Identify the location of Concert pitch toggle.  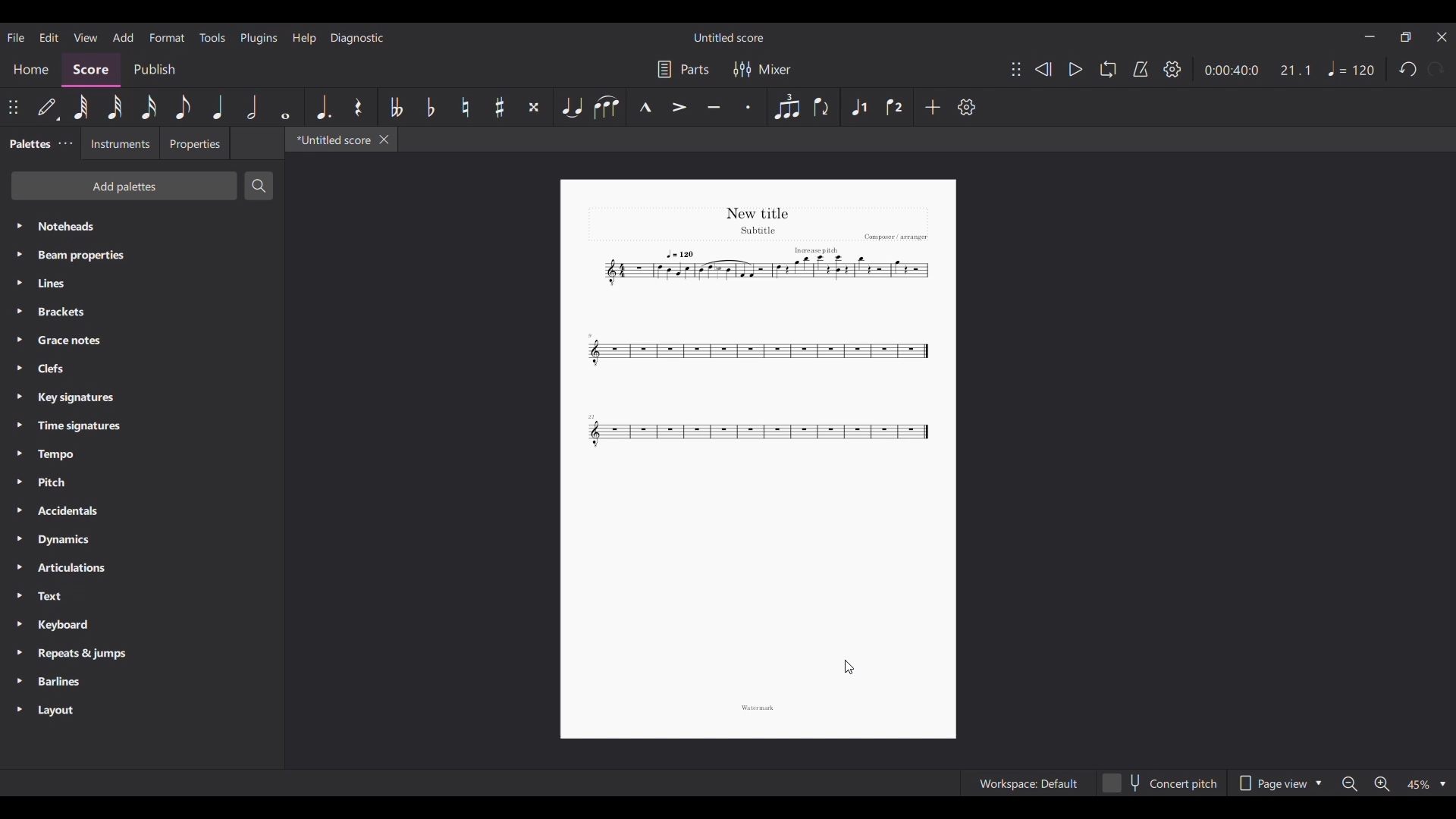
(1159, 783).